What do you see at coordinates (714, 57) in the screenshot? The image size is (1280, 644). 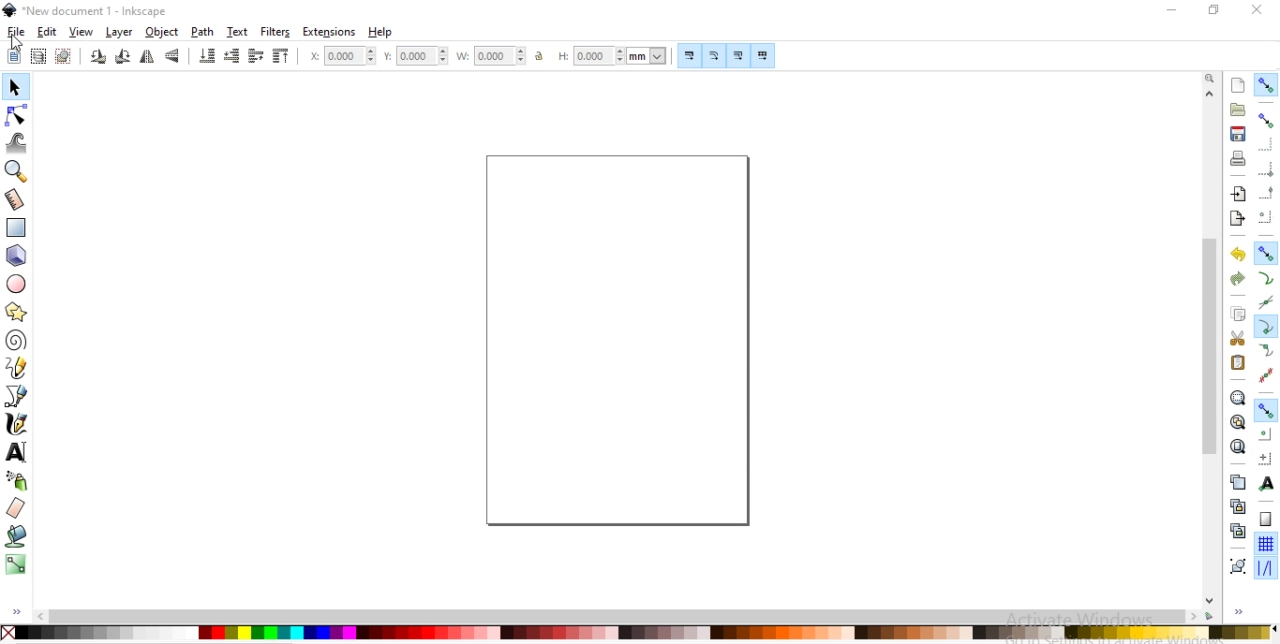 I see `scale radii of rounded corners` at bounding box center [714, 57].